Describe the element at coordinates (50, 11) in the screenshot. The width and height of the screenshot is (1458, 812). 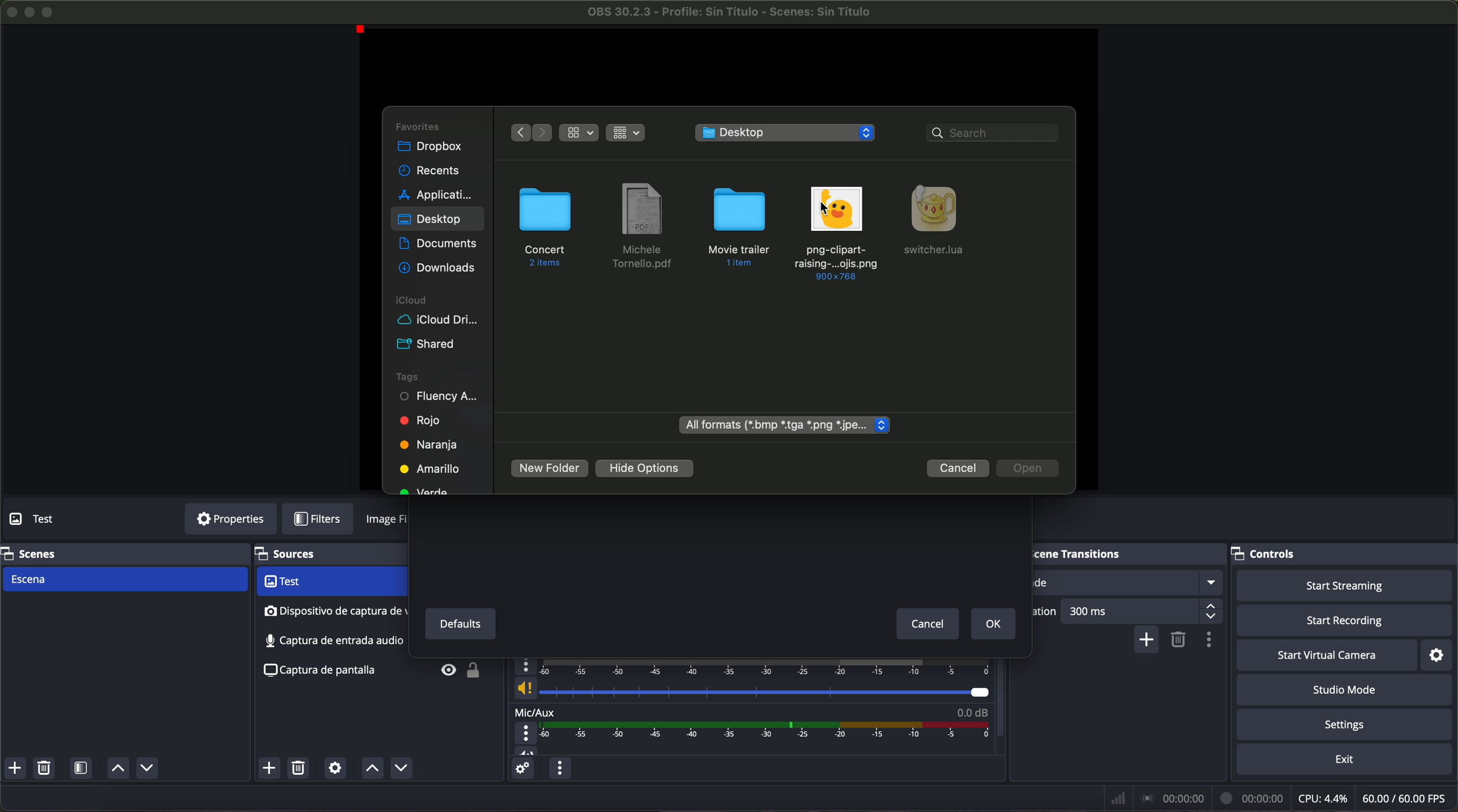
I see `maximize program` at that location.